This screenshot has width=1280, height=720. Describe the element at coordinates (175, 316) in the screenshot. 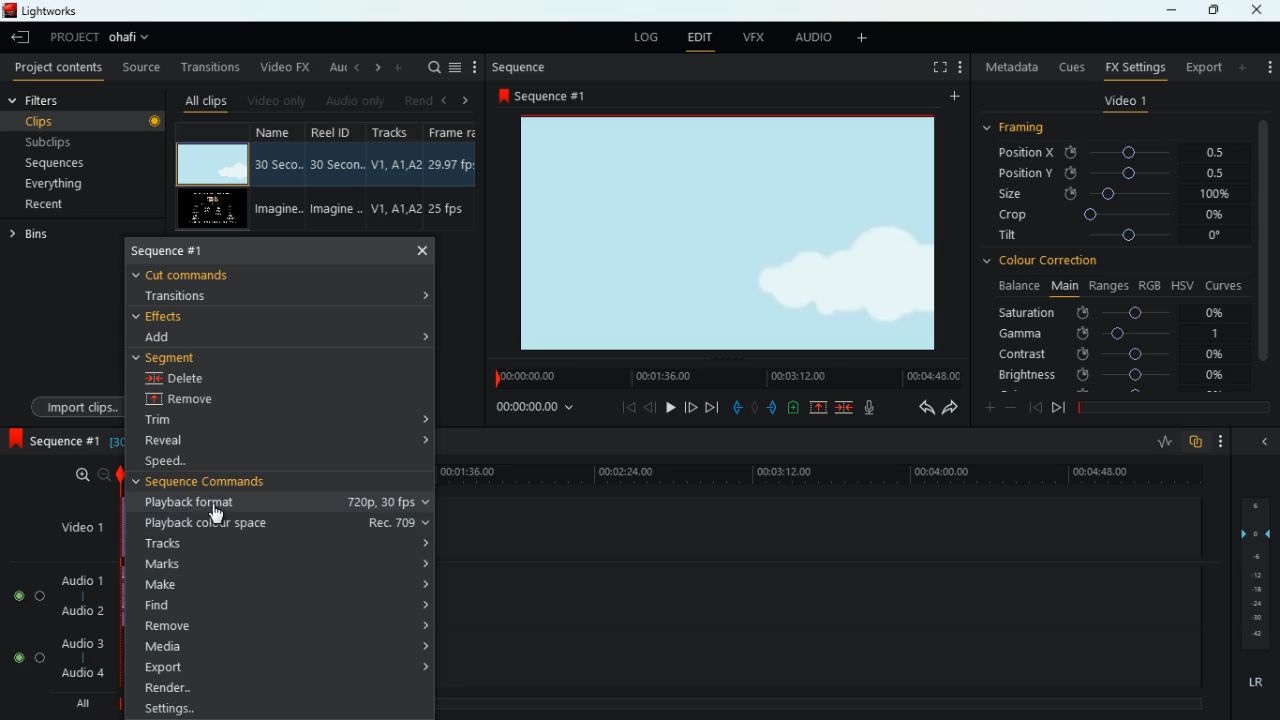

I see `effects` at that location.